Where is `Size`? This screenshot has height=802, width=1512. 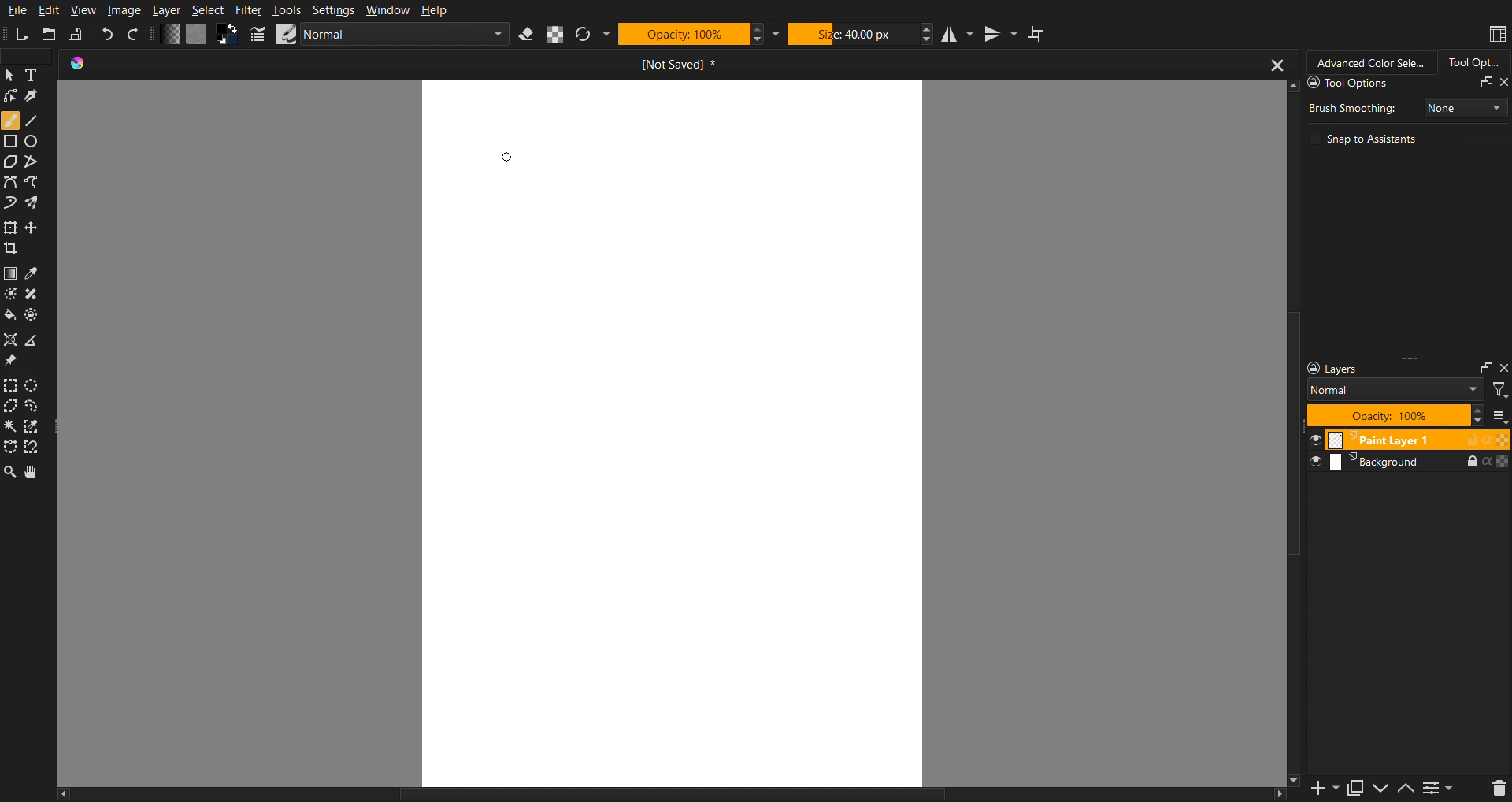
Size is located at coordinates (853, 34).